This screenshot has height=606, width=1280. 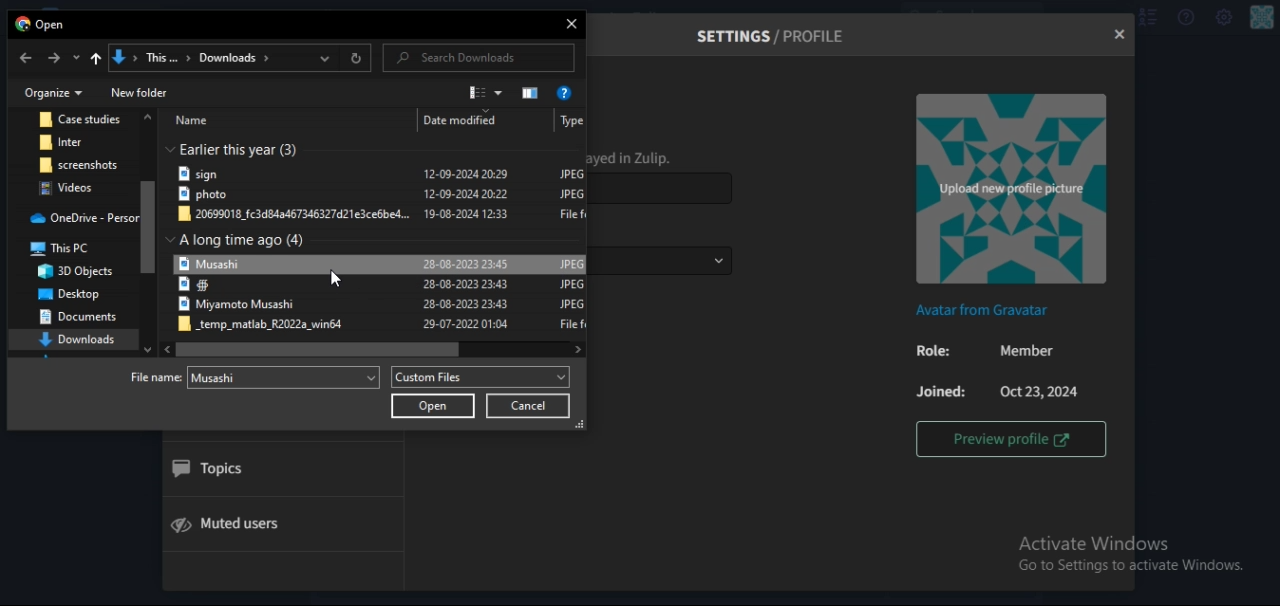 What do you see at coordinates (385, 325) in the screenshot?
I see `file` at bounding box center [385, 325].